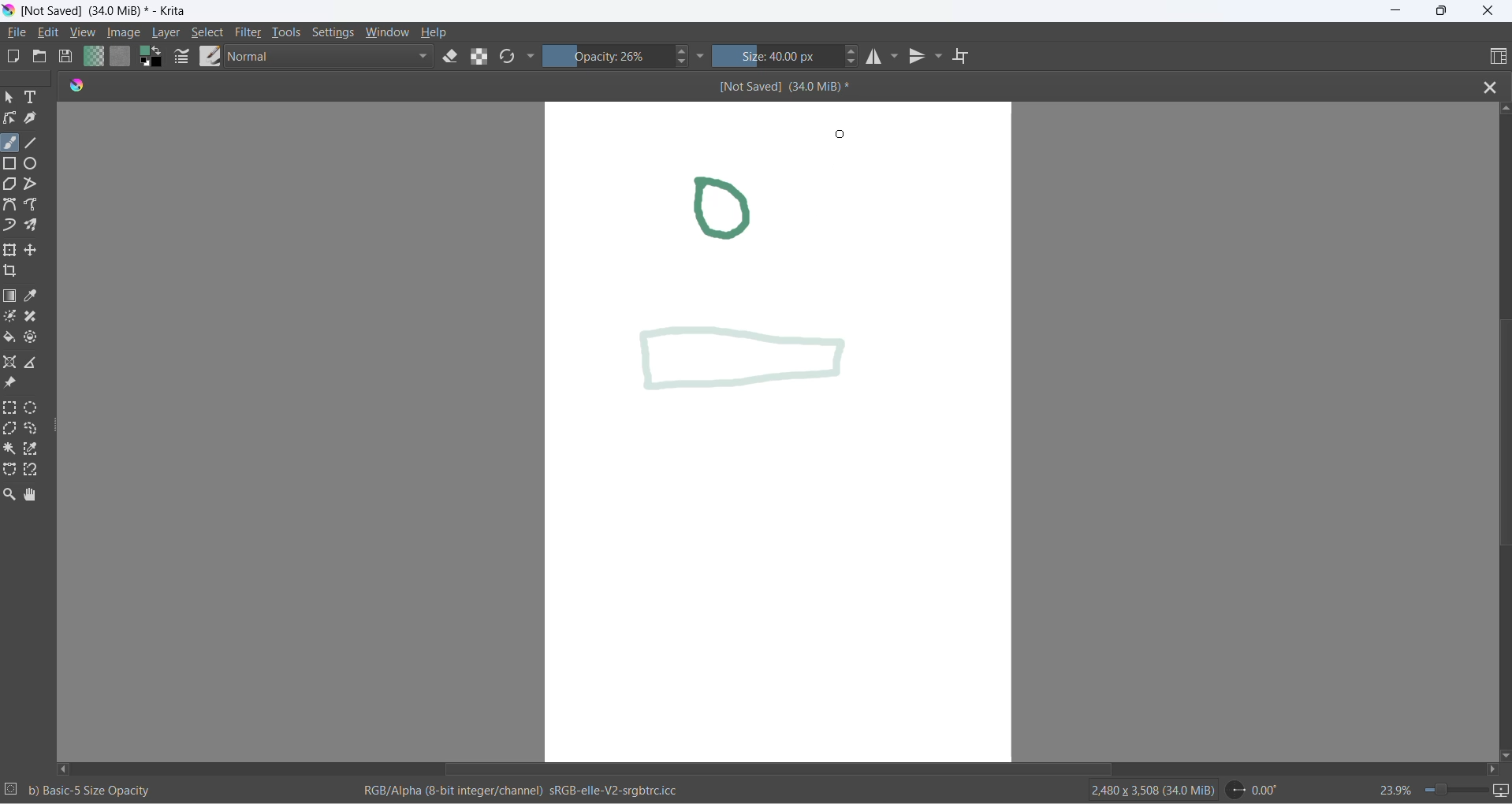  I want to click on [Not Saved] (340 MiB)*, so click(786, 86).